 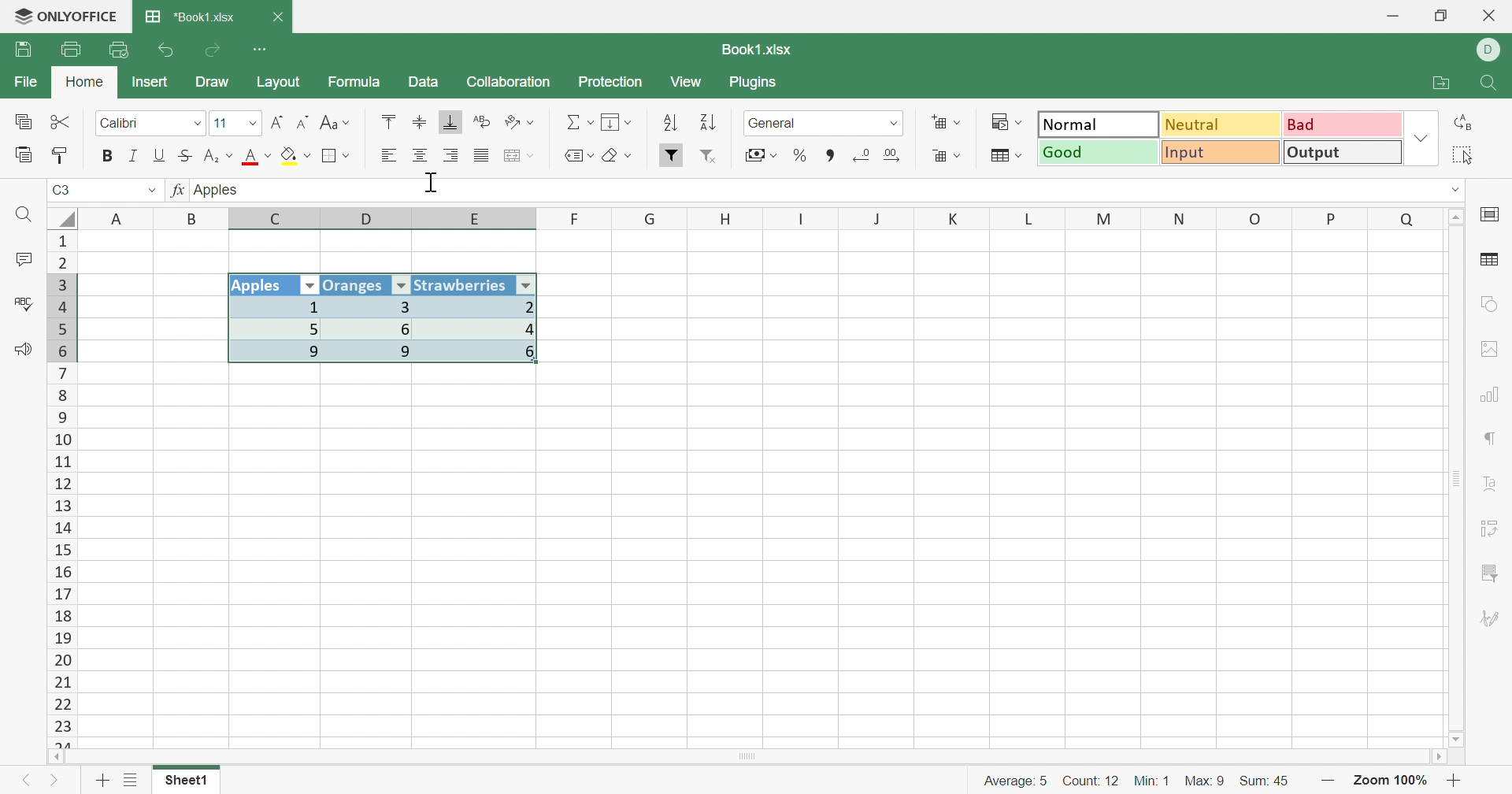 I want to click on A, so click(x=118, y=217).